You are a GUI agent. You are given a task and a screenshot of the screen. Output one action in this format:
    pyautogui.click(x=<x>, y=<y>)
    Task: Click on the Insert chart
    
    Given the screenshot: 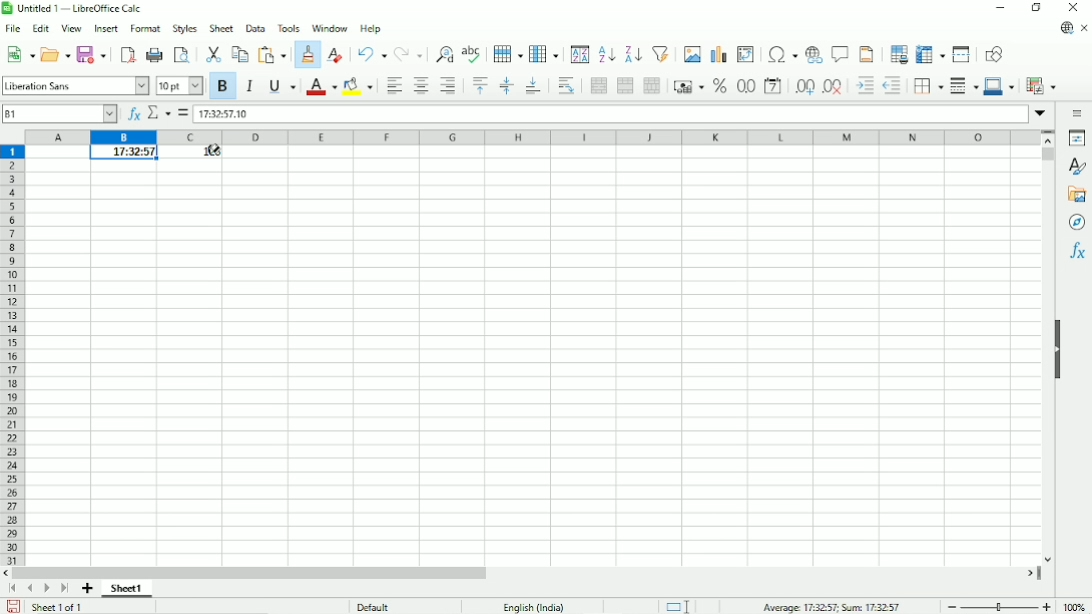 What is the action you would take?
    pyautogui.click(x=718, y=54)
    